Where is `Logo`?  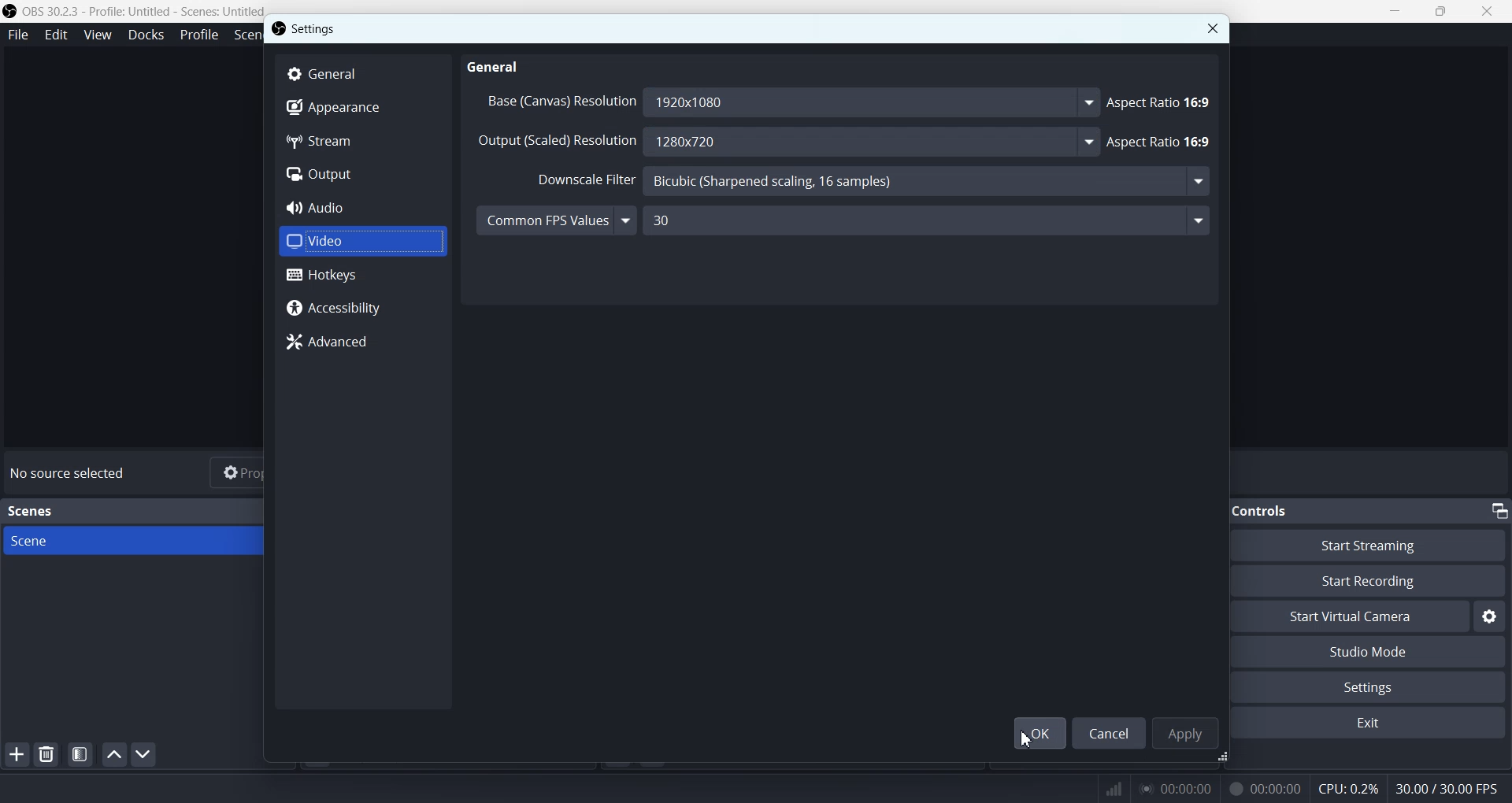
Logo is located at coordinates (134, 11).